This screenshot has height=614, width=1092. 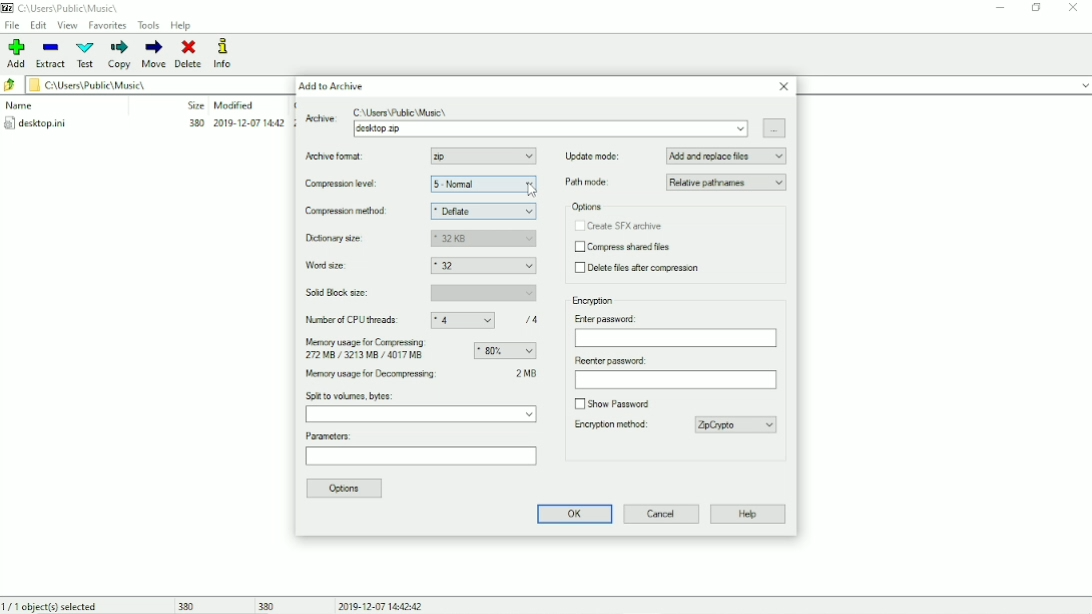 What do you see at coordinates (586, 207) in the screenshot?
I see `Options` at bounding box center [586, 207].